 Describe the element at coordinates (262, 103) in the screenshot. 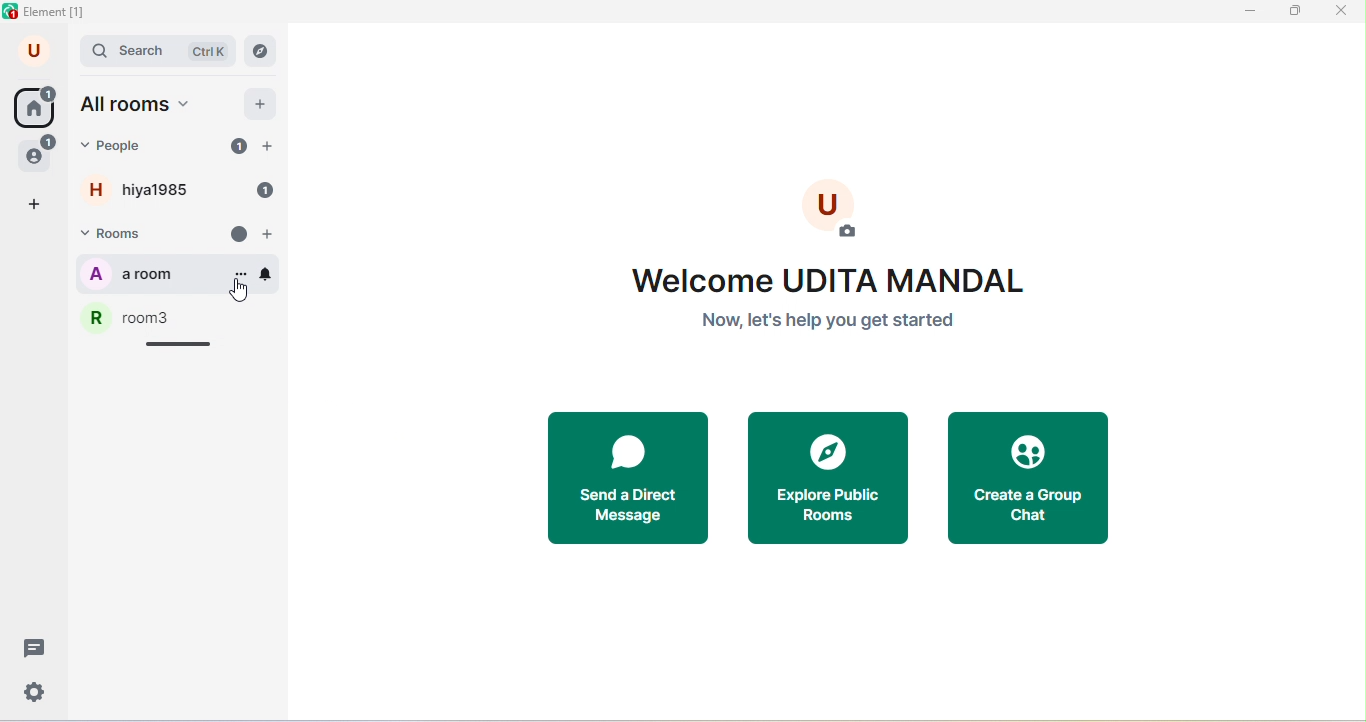

I see `add` at that location.